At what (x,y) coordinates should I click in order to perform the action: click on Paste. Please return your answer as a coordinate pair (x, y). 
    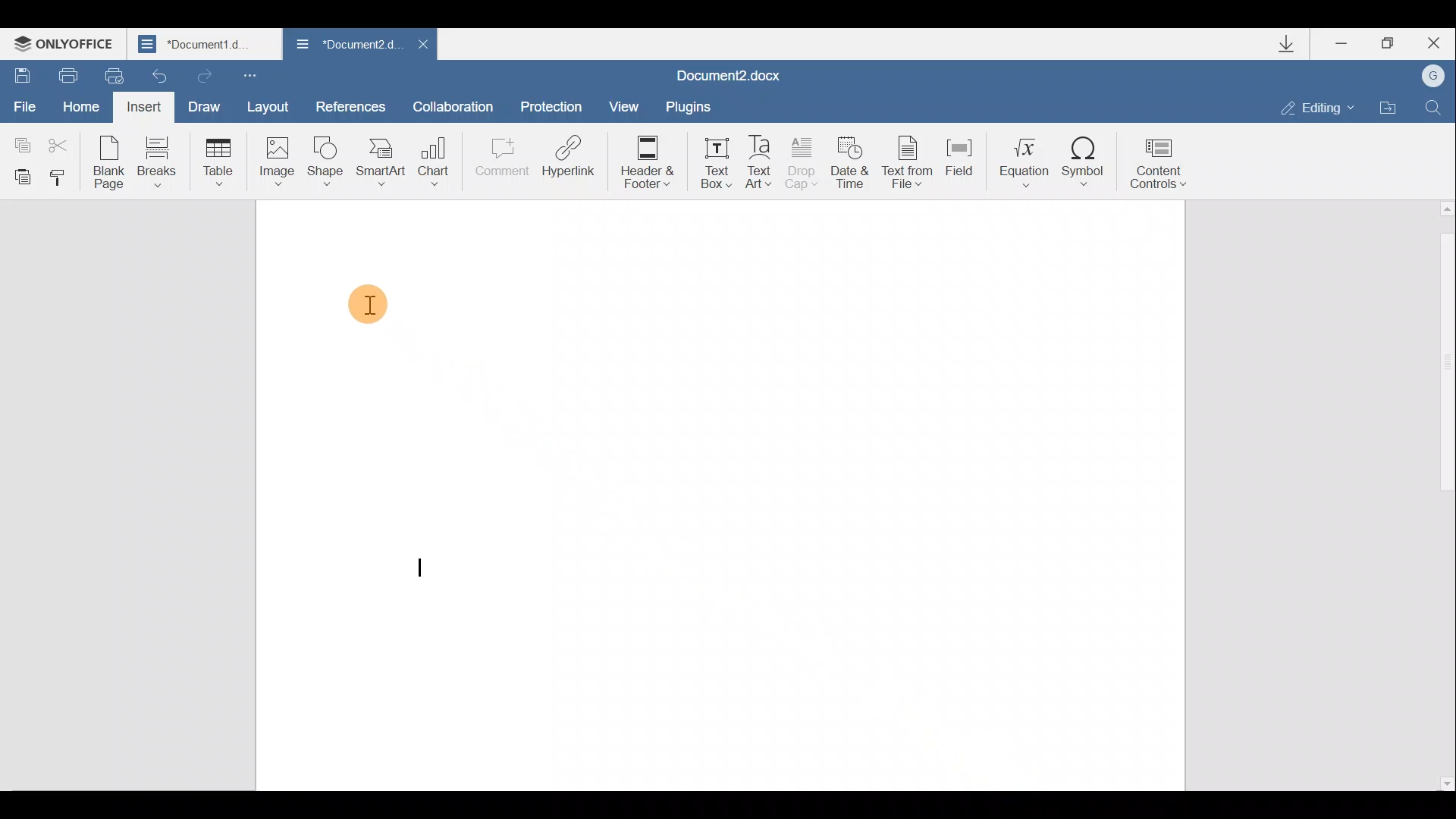
    Looking at the image, I should click on (20, 176).